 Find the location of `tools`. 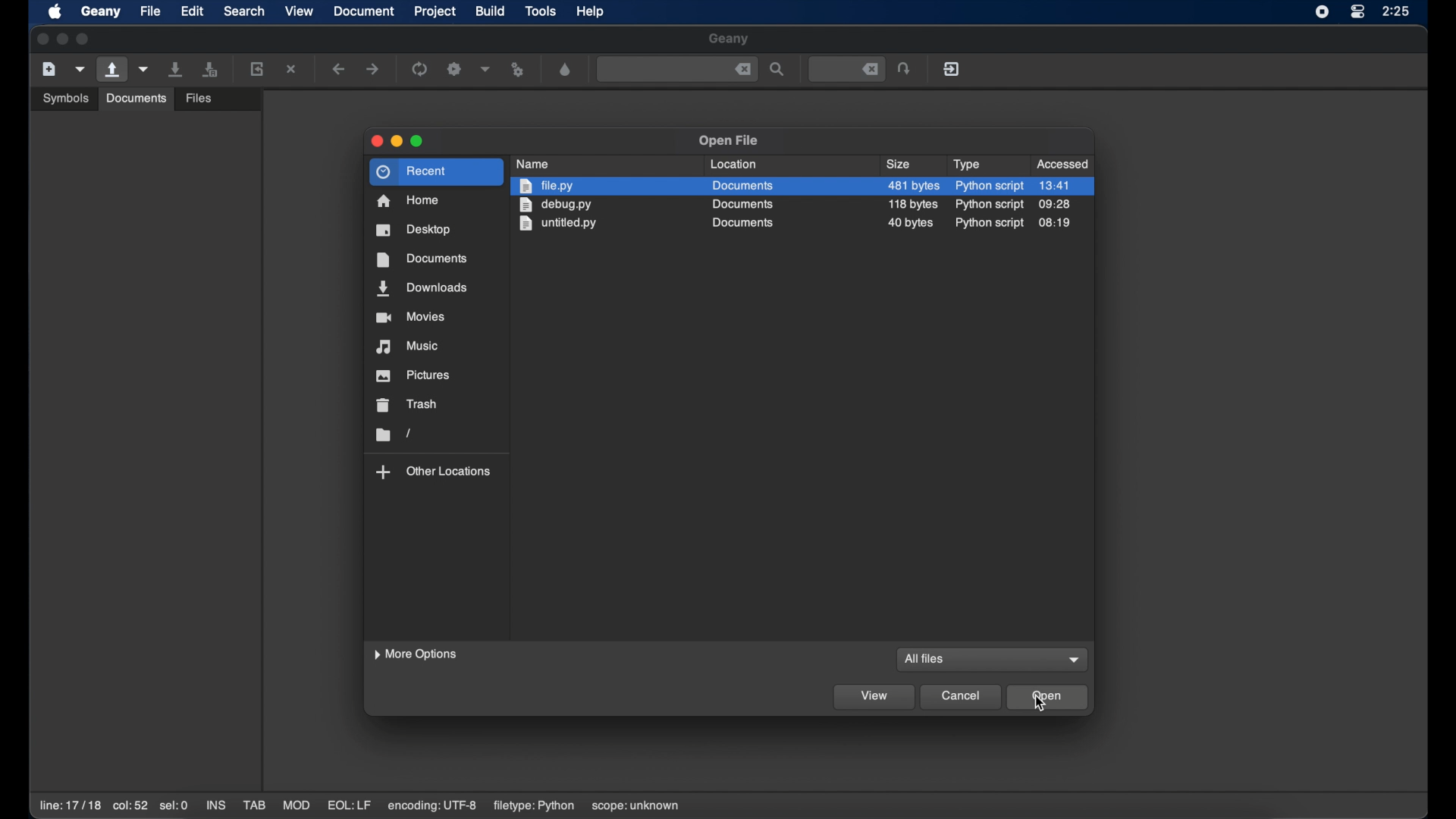

tools is located at coordinates (541, 11).